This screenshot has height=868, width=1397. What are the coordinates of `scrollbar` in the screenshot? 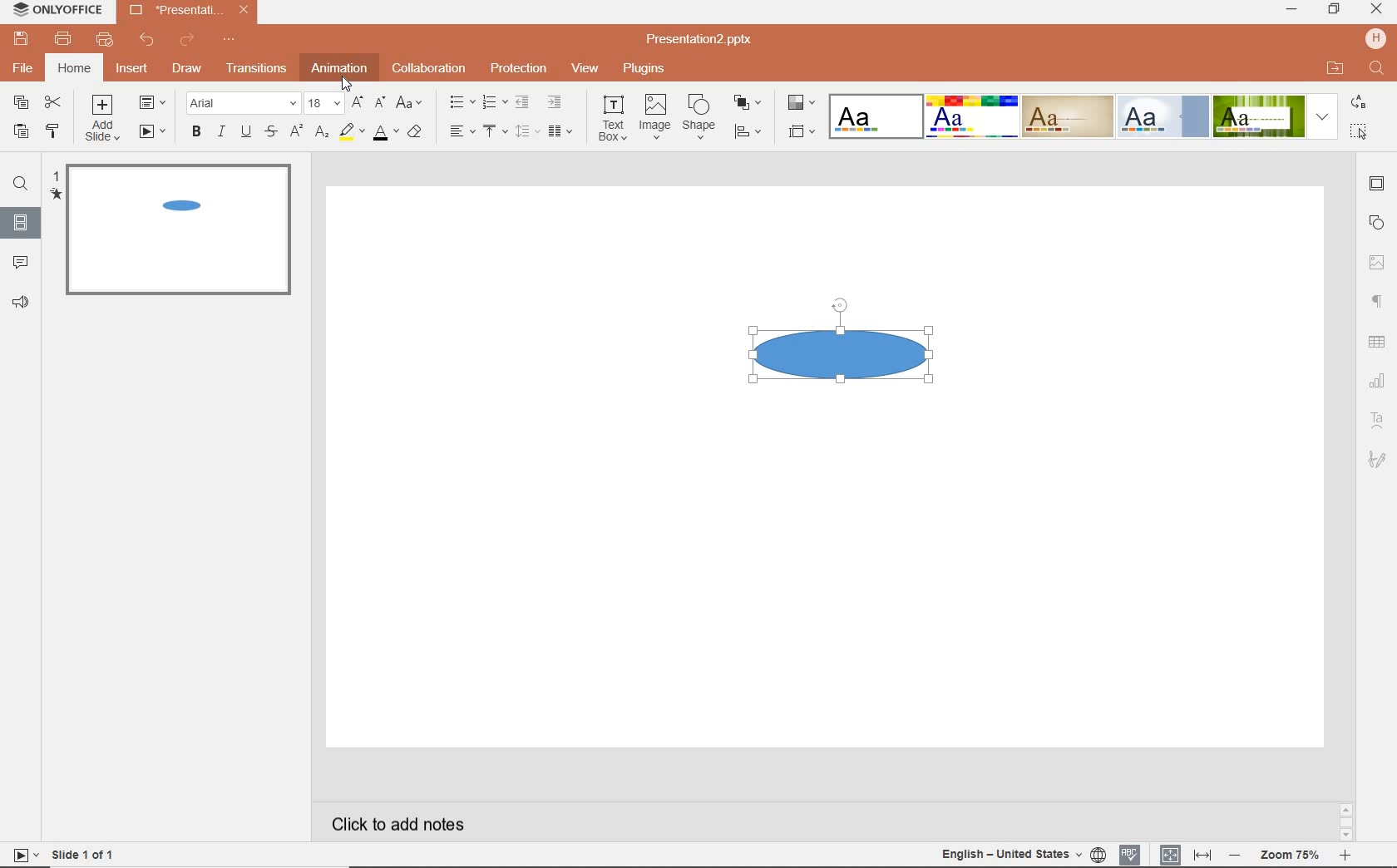 It's located at (1345, 822).